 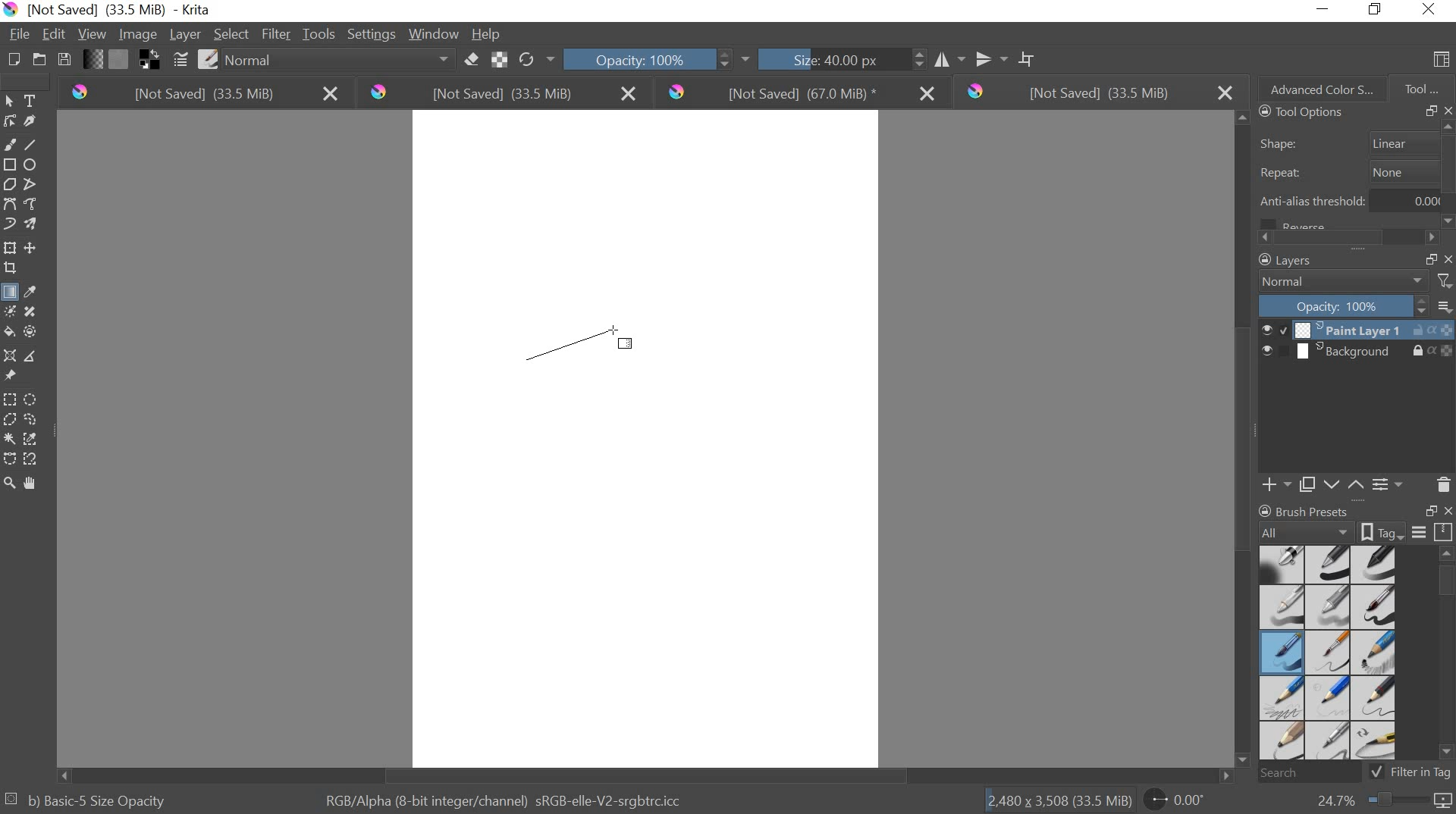 What do you see at coordinates (1432, 512) in the screenshot?
I see `RESTORE DOWN` at bounding box center [1432, 512].